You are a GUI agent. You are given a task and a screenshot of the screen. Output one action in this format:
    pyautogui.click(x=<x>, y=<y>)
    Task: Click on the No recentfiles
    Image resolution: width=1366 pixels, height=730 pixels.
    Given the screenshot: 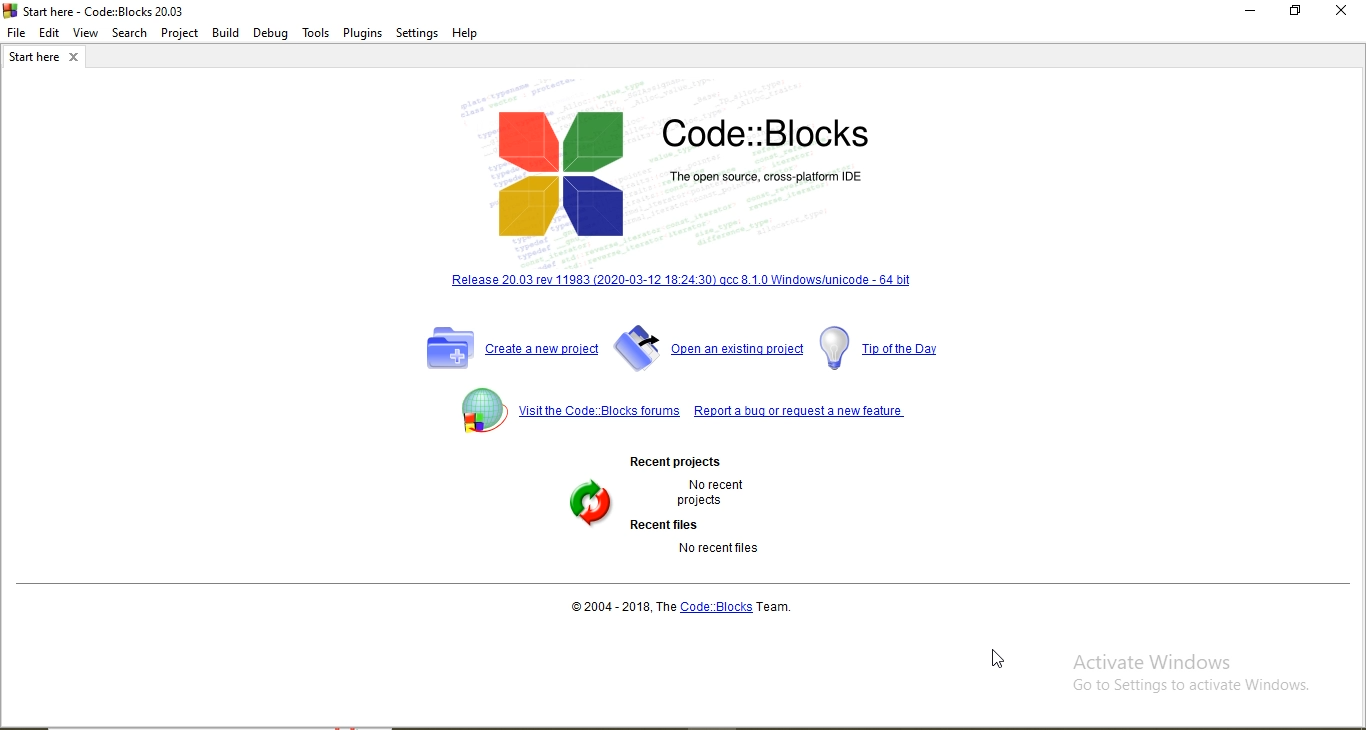 What is the action you would take?
    pyautogui.click(x=722, y=550)
    